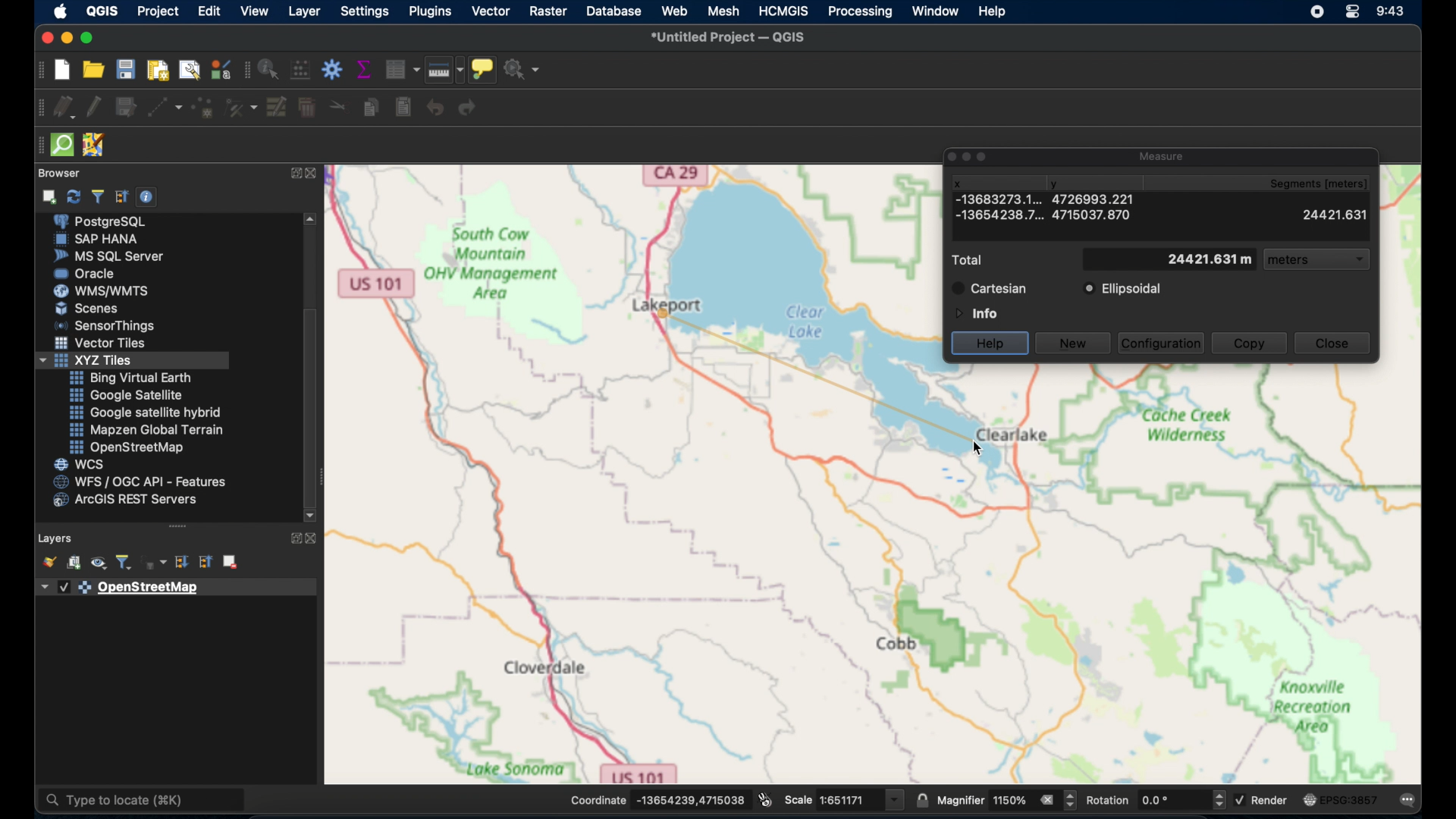 This screenshot has width=1456, height=819. Describe the element at coordinates (97, 196) in the screenshot. I see `filter browser` at that location.